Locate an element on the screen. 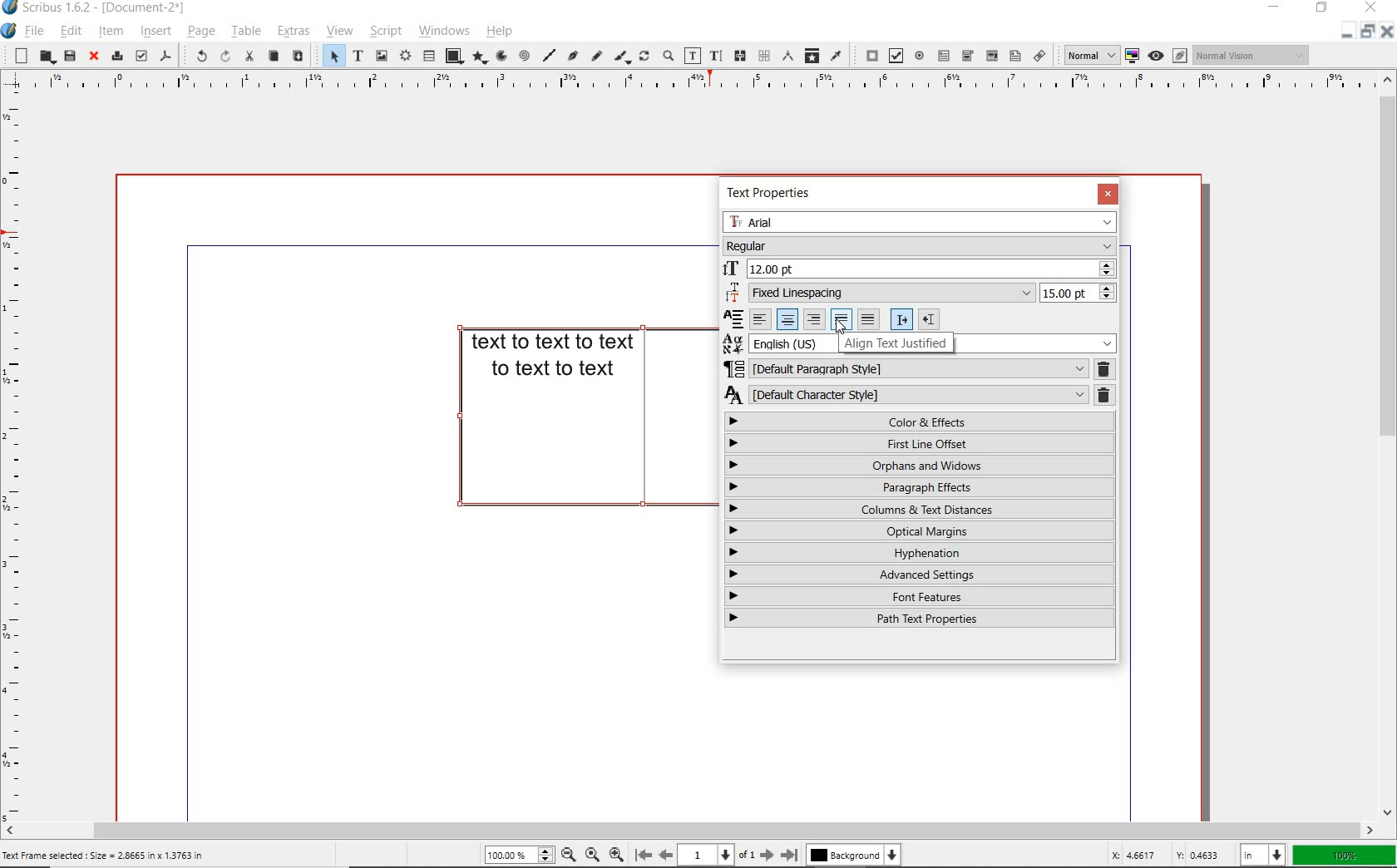 The height and width of the screenshot is (868, 1397). justify is located at coordinates (841, 319).